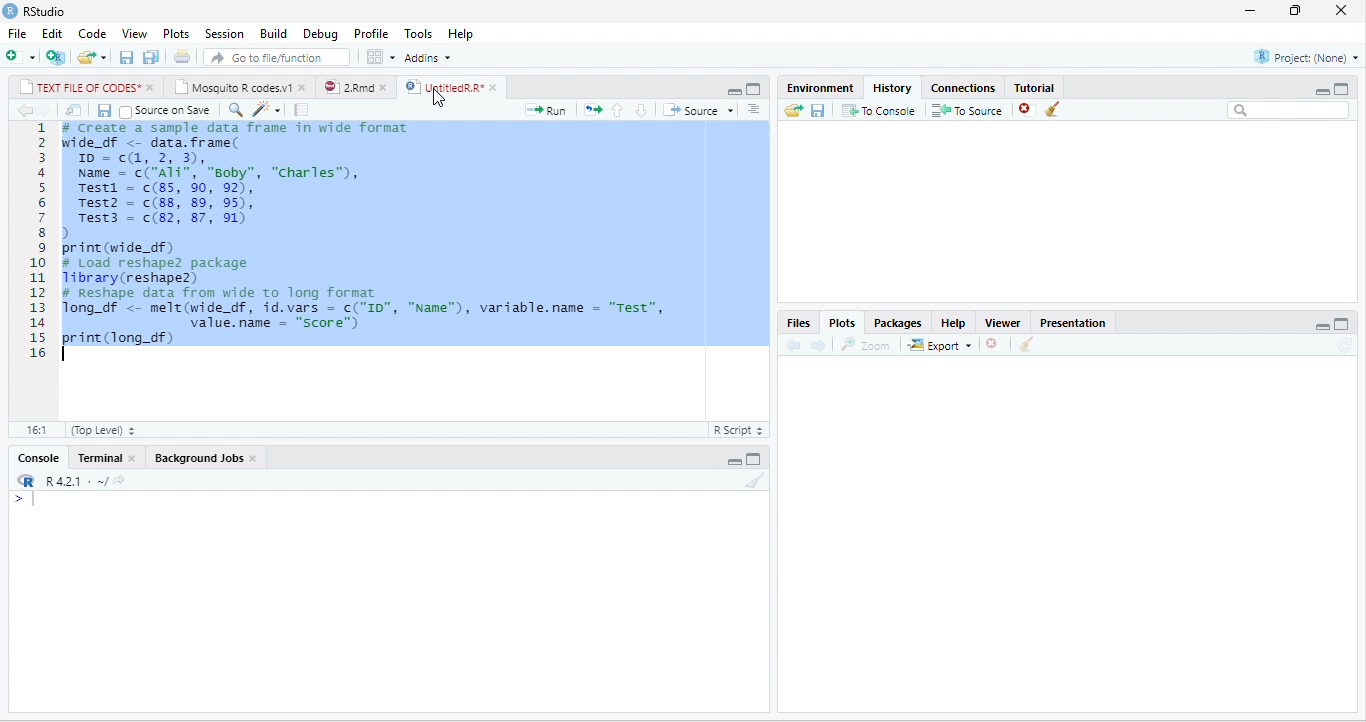 The image size is (1366, 722). Describe the element at coordinates (17, 34) in the screenshot. I see `File` at that location.